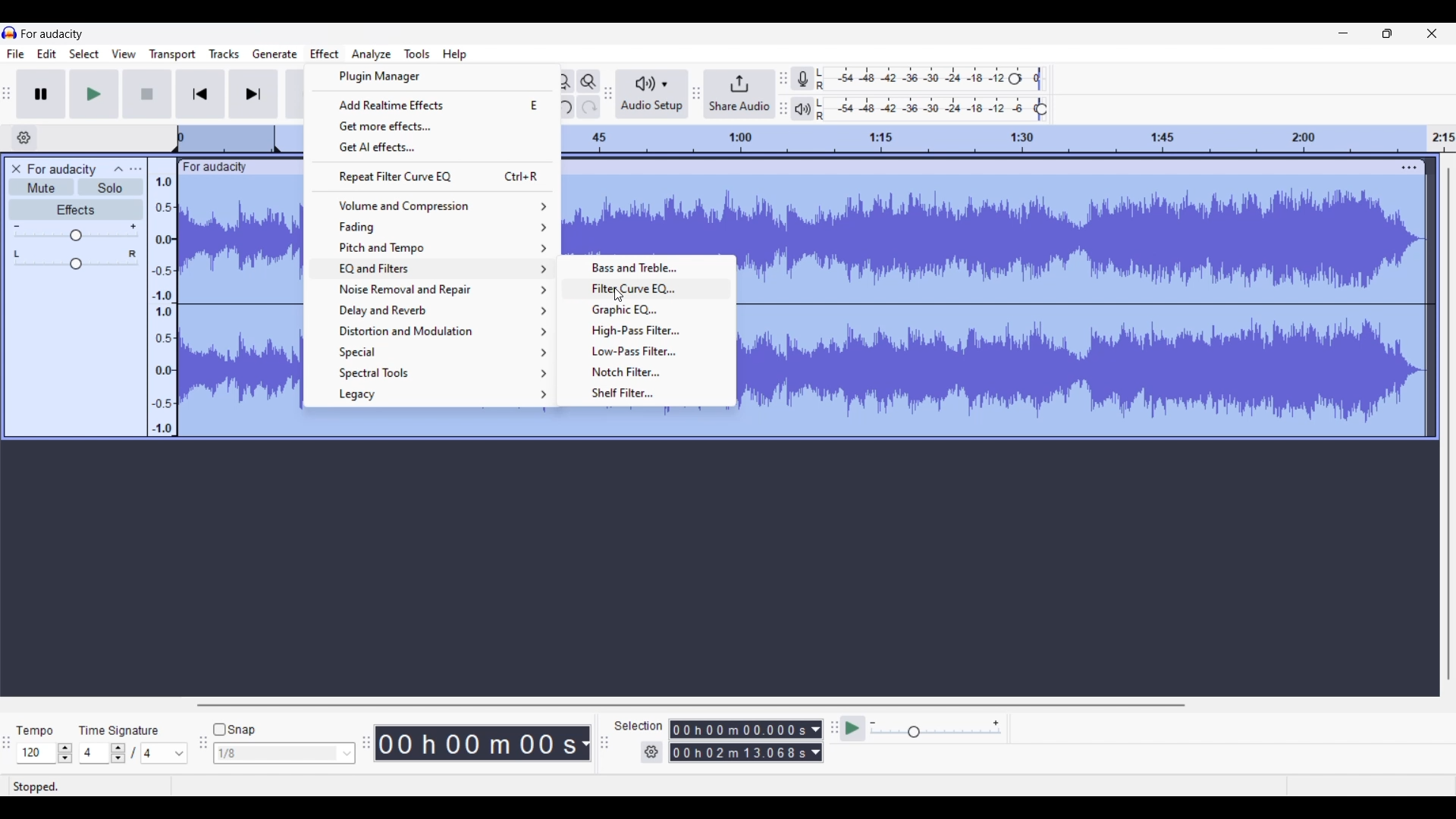 The height and width of the screenshot is (819, 1456). What do you see at coordinates (651, 752) in the screenshot?
I see `Selection settings` at bounding box center [651, 752].